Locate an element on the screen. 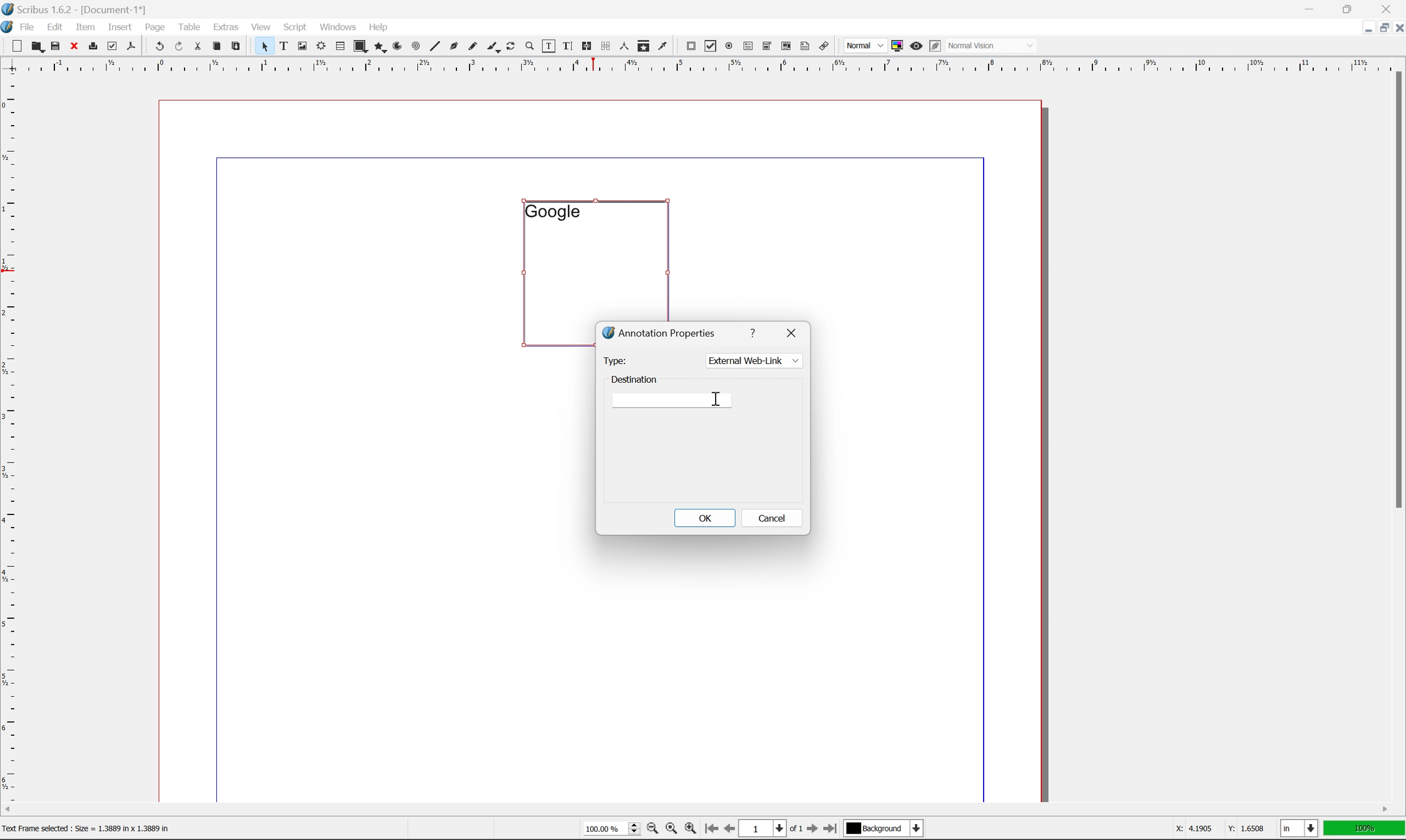 The image size is (1406, 840). rotate item is located at coordinates (511, 47).